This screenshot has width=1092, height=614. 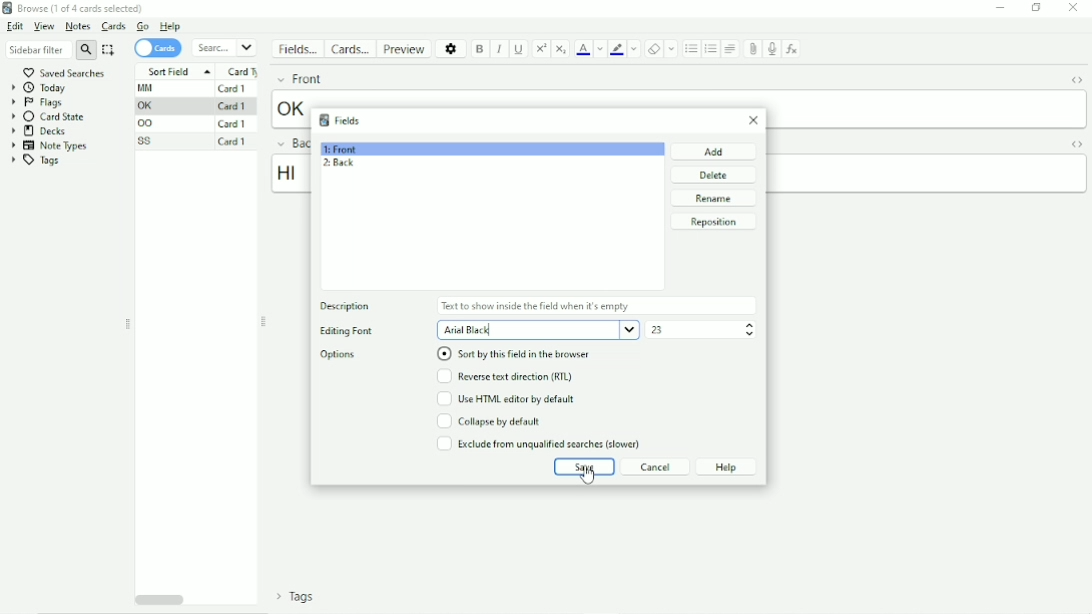 I want to click on Notes, so click(x=77, y=26).